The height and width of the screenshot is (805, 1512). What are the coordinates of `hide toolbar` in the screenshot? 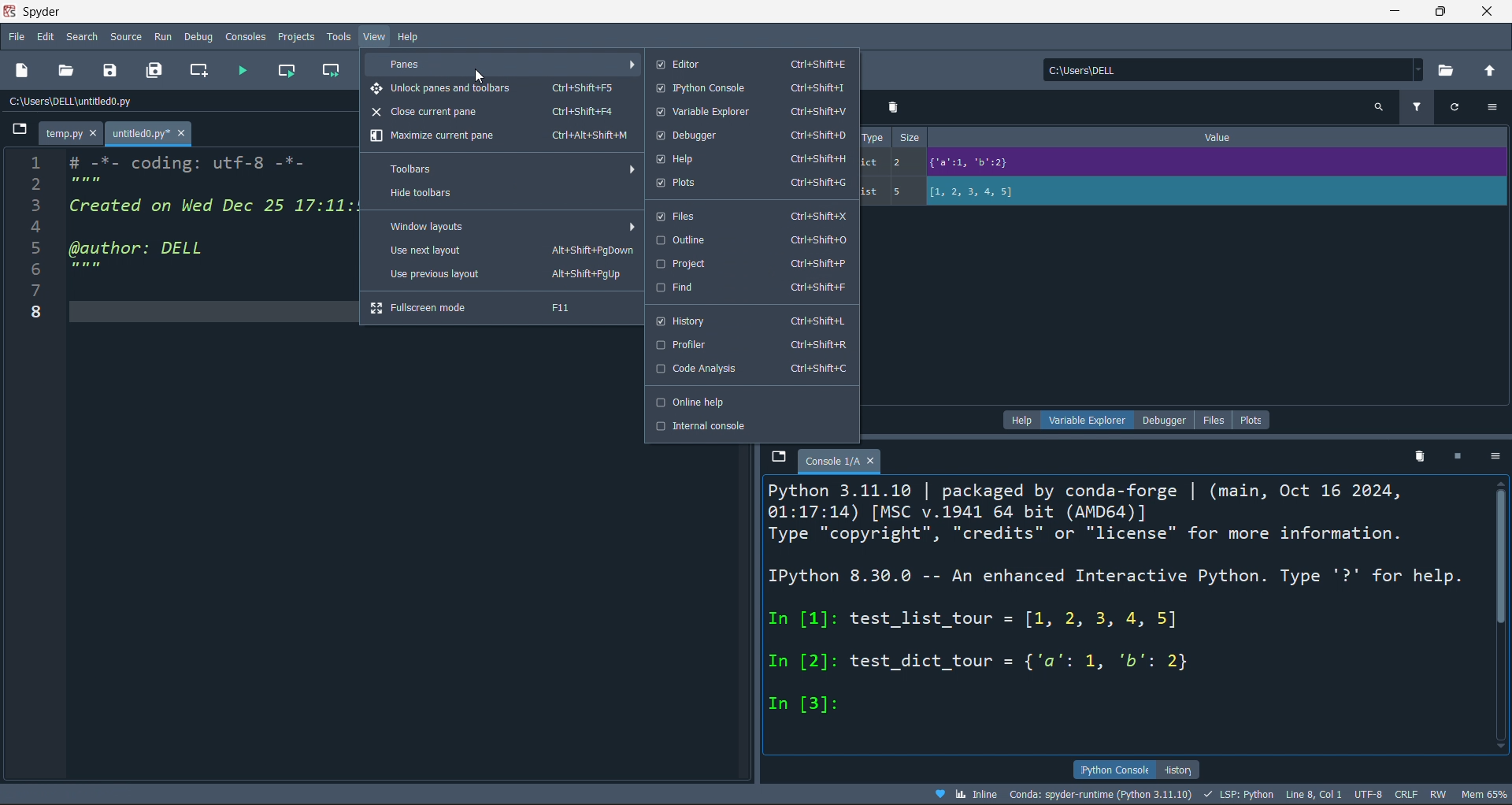 It's located at (502, 194).